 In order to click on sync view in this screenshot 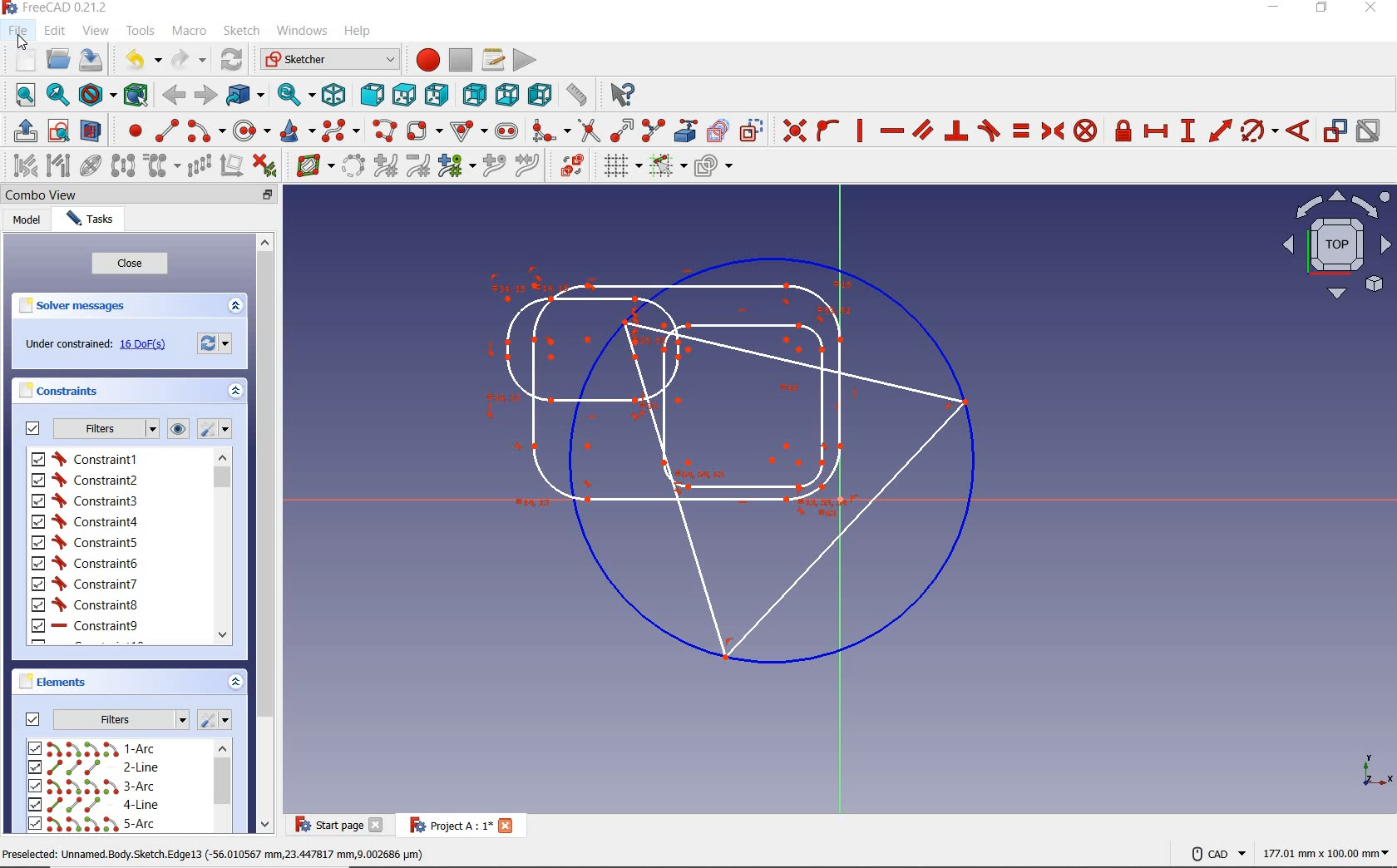, I will do `click(294, 95)`.